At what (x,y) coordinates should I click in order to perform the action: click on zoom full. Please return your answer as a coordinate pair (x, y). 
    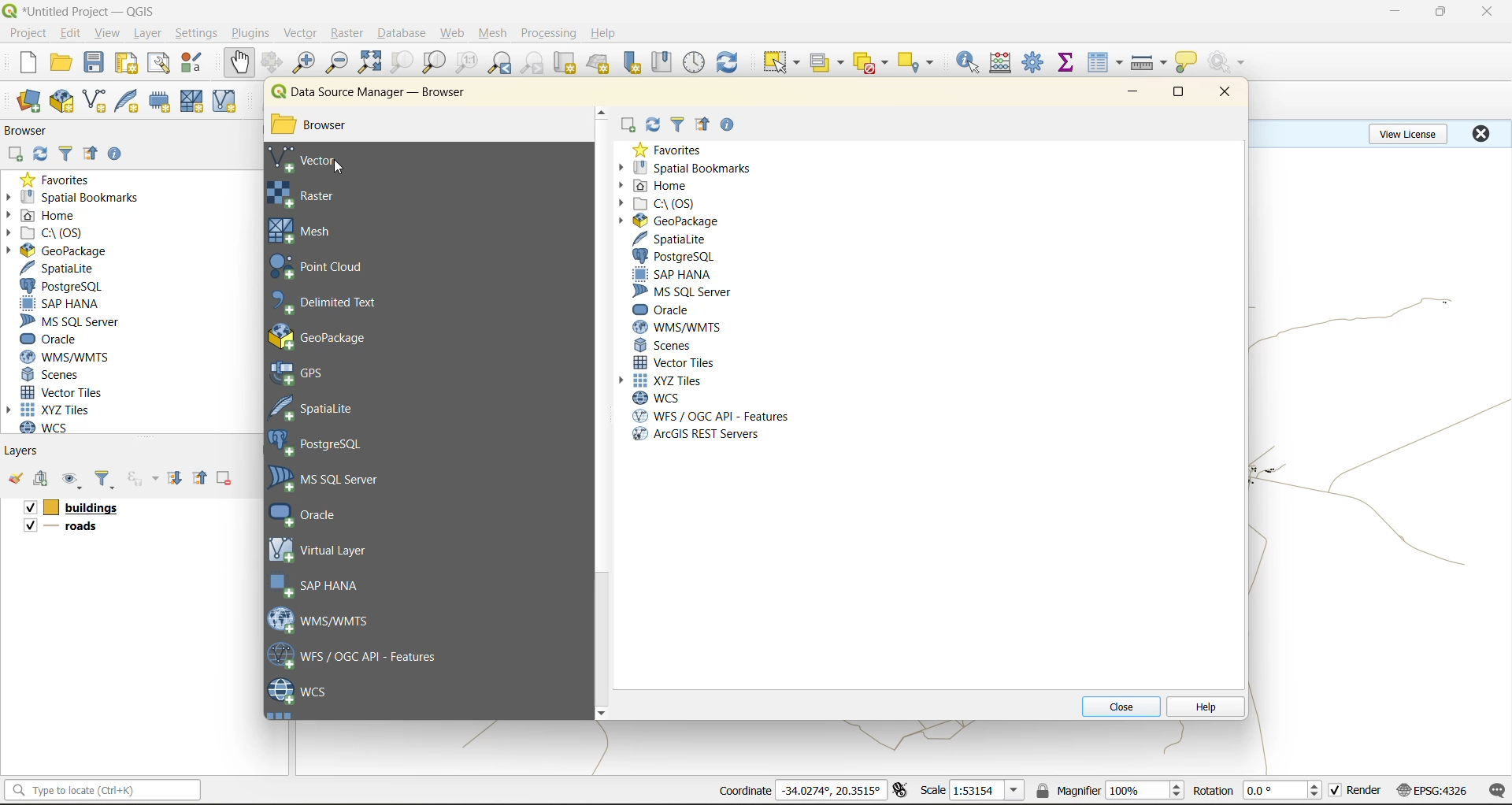
    Looking at the image, I should click on (369, 62).